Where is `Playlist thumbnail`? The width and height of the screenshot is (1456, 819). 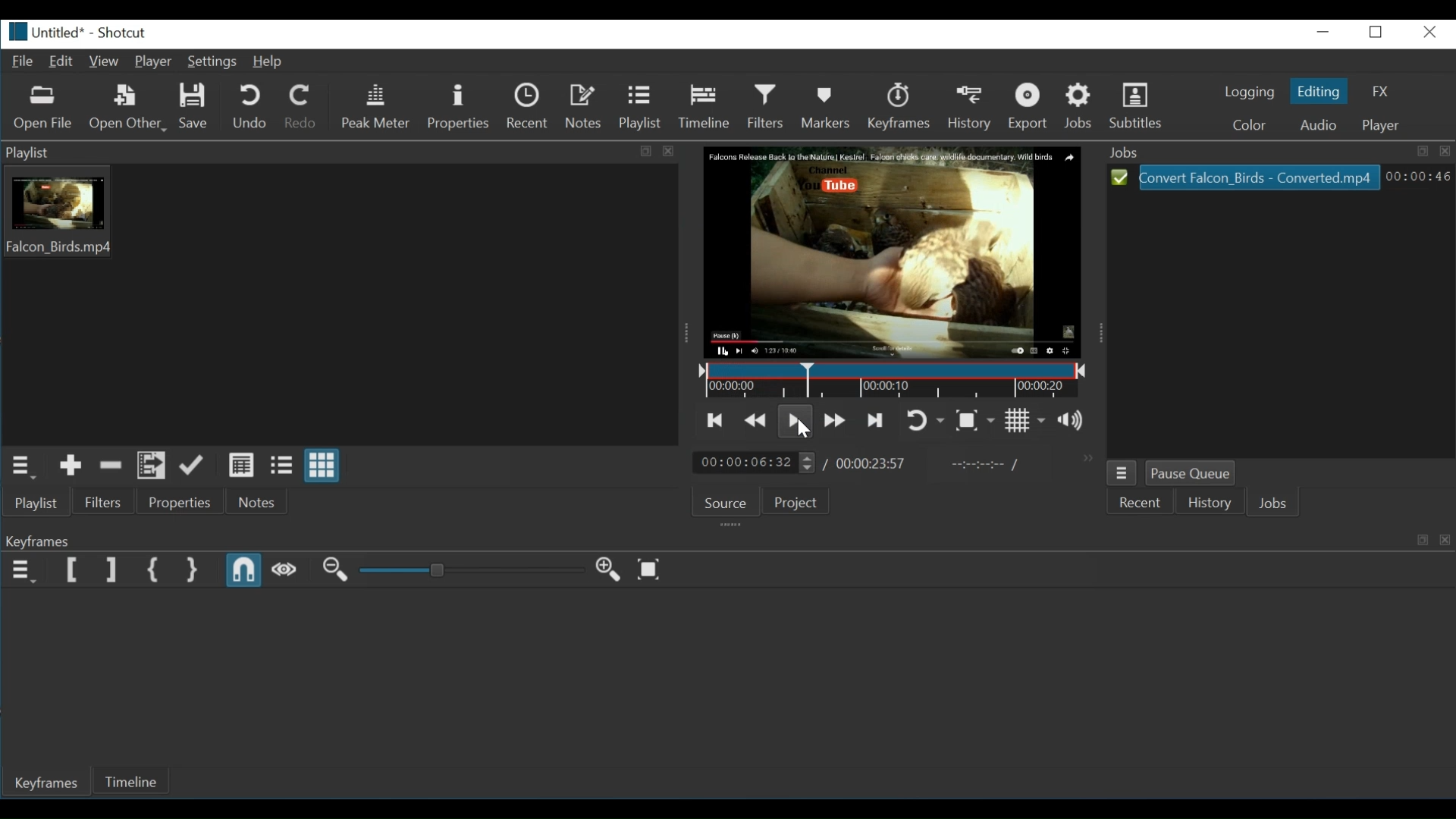
Playlist thumbnail is located at coordinates (334, 303).